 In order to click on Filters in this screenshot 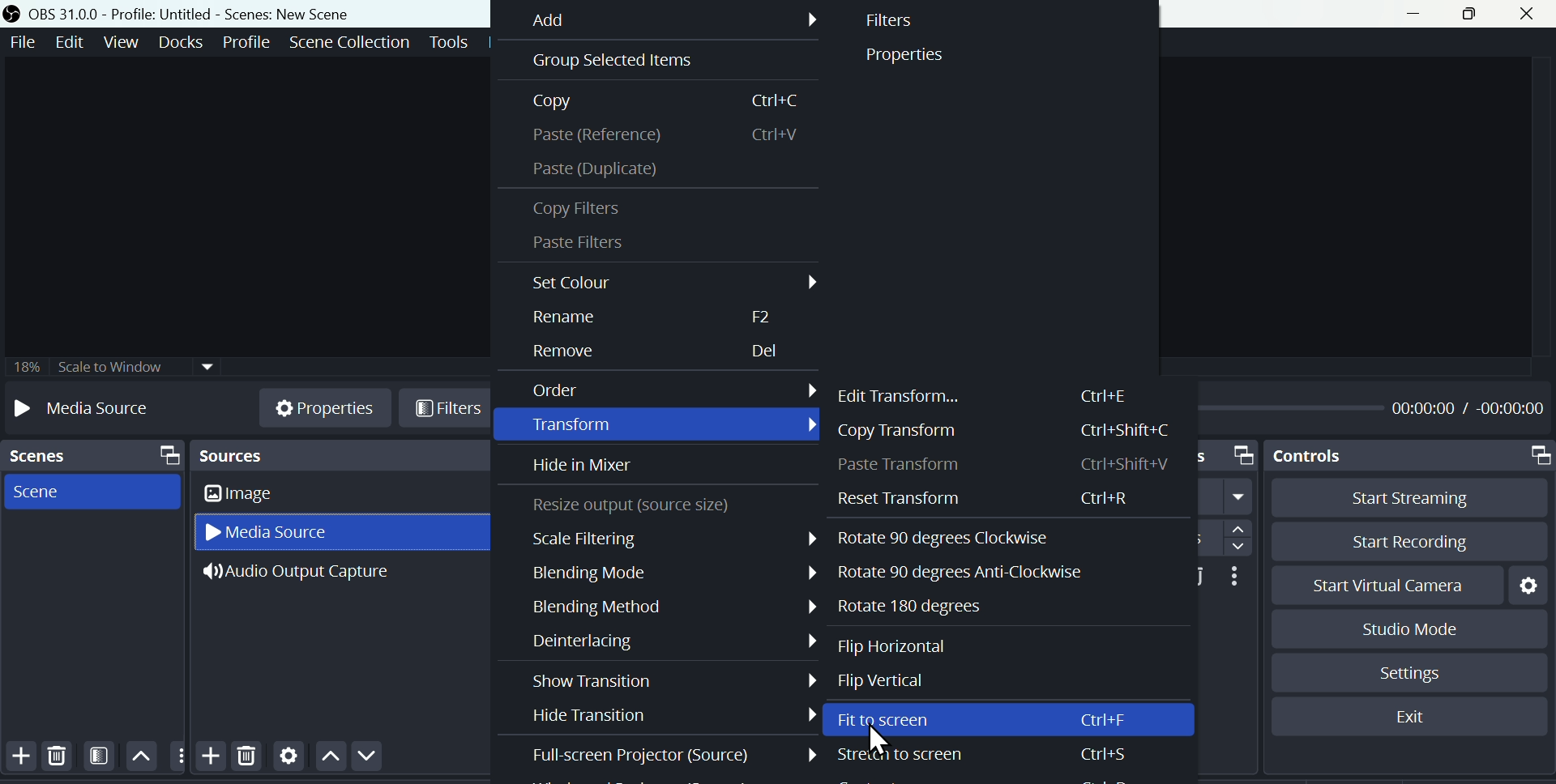, I will do `click(446, 410)`.